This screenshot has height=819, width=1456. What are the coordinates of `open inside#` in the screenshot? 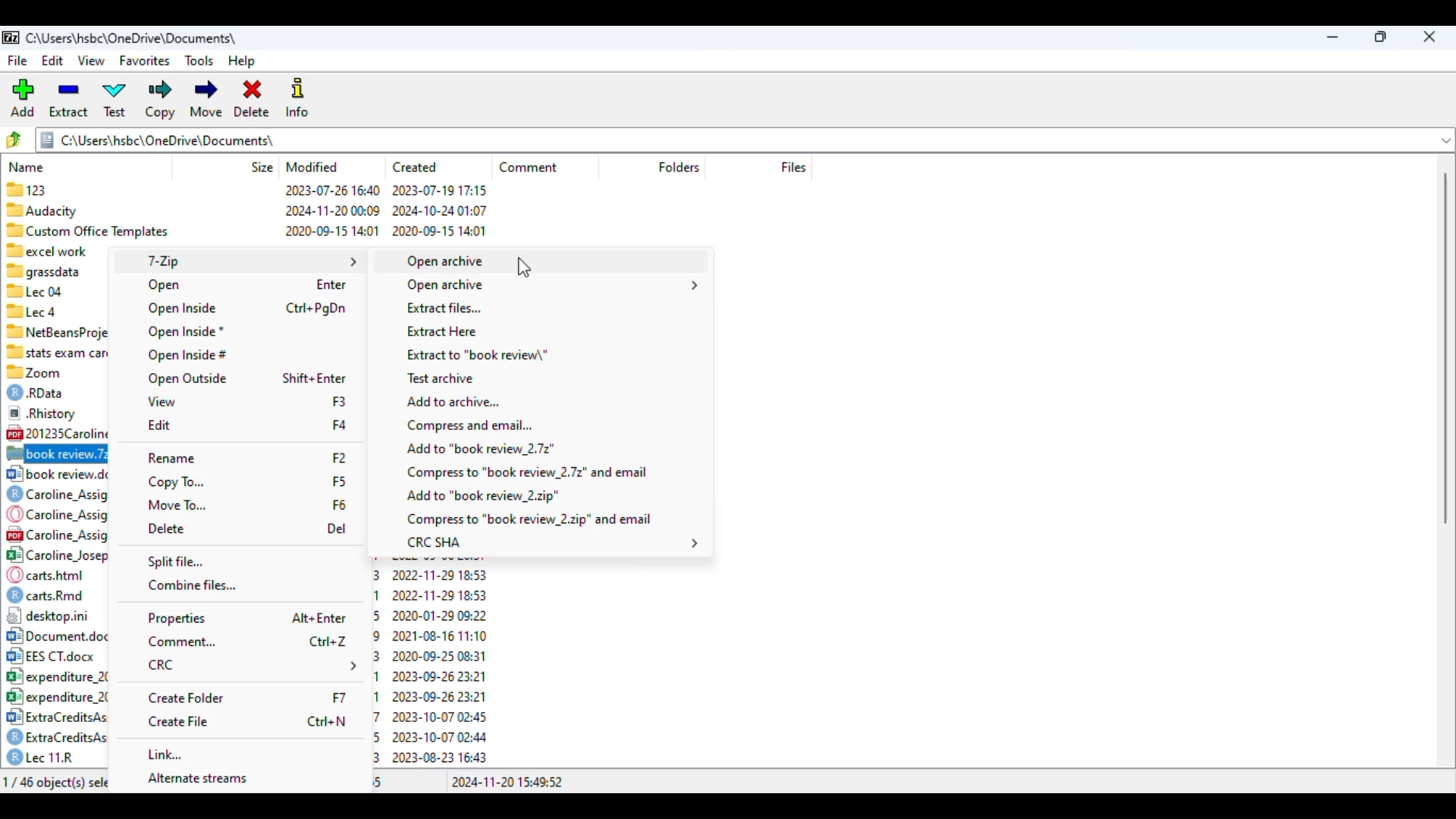 It's located at (188, 355).